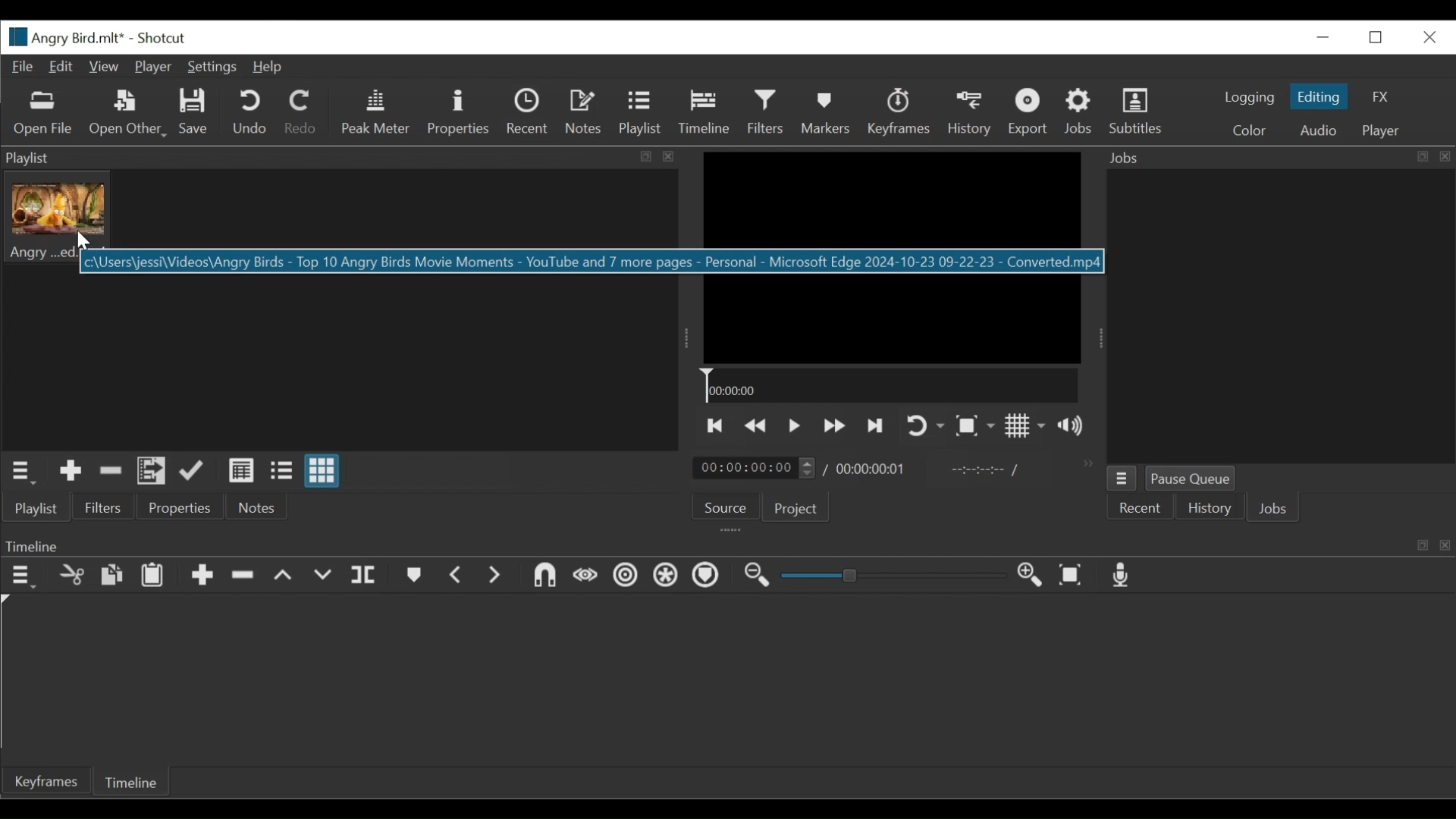 The height and width of the screenshot is (819, 1456). What do you see at coordinates (891, 257) in the screenshot?
I see `Media Viewer` at bounding box center [891, 257].